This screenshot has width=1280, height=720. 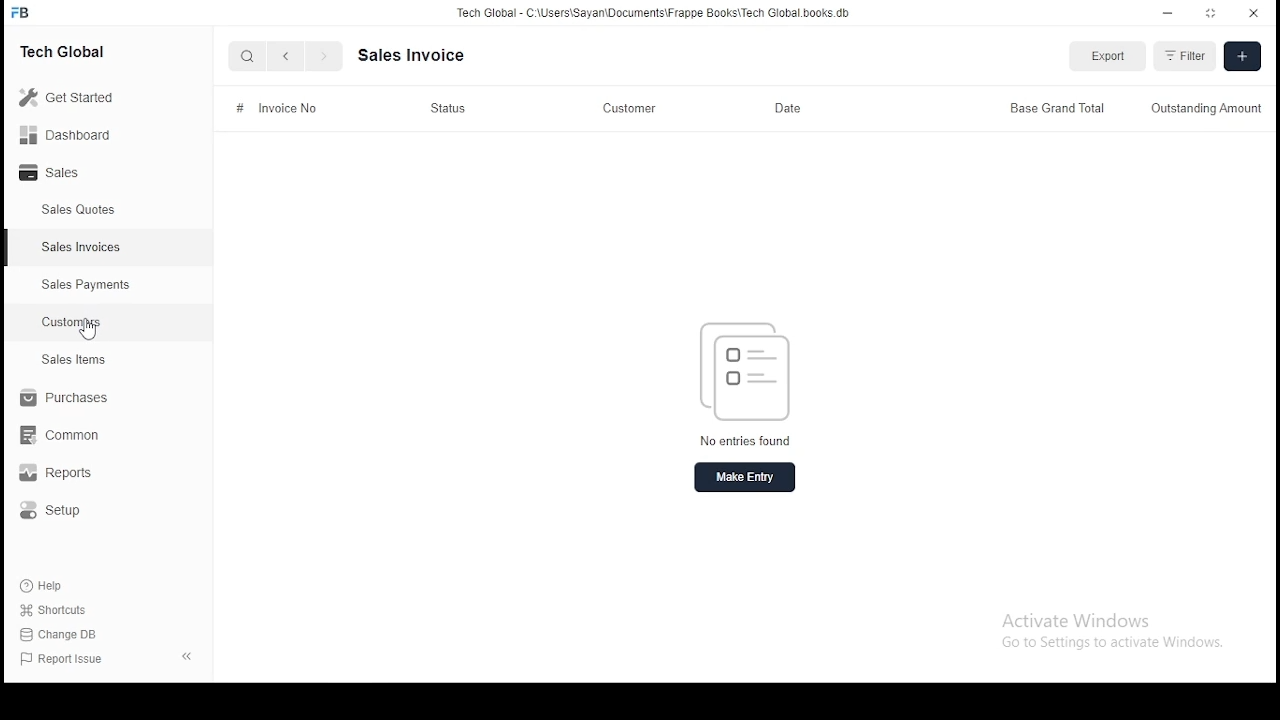 I want to click on customer, so click(x=629, y=110).